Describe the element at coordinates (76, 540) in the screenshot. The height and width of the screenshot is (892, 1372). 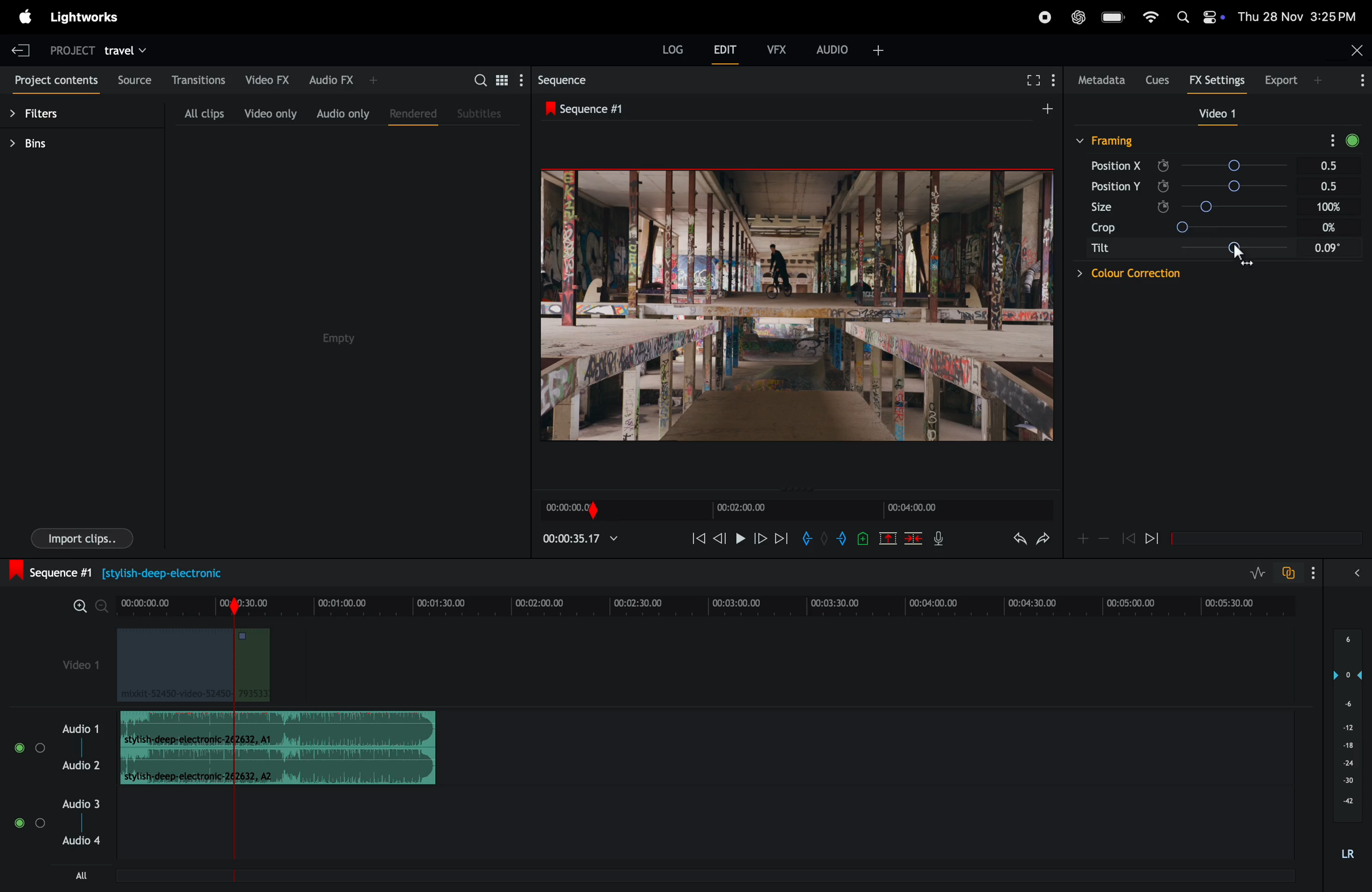
I see `import clips` at that location.